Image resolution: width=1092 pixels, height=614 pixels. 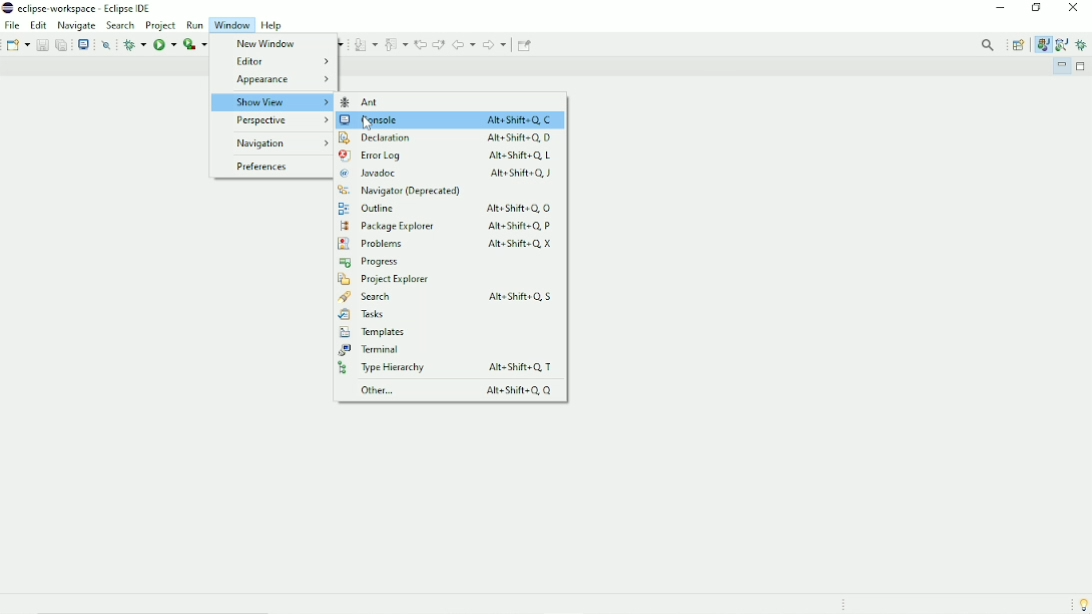 What do you see at coordinates (275, 25) in the screenshot?
I see `Help` at bounding box center [275, 25].